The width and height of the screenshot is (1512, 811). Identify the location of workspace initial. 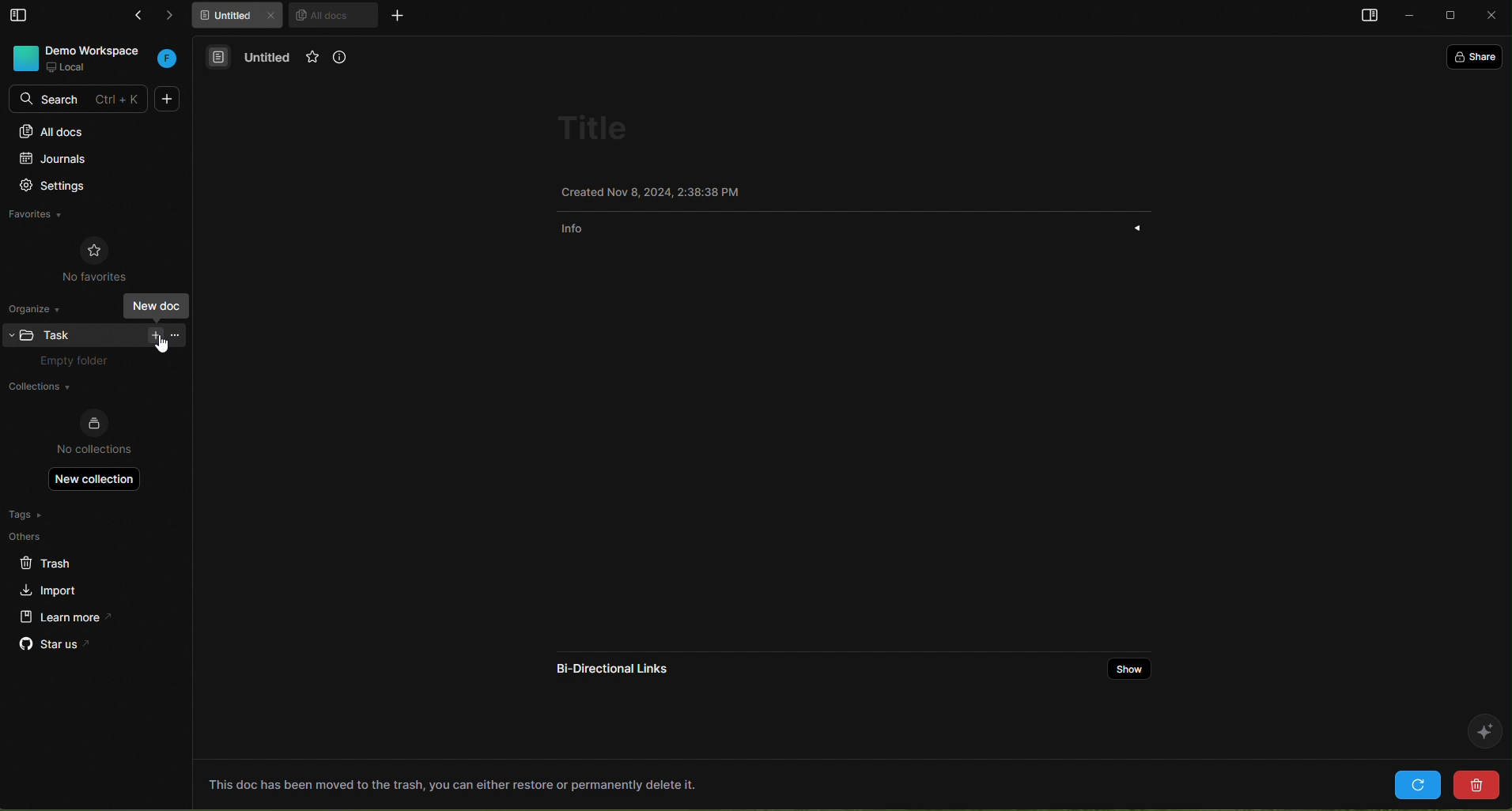
(168, 60).